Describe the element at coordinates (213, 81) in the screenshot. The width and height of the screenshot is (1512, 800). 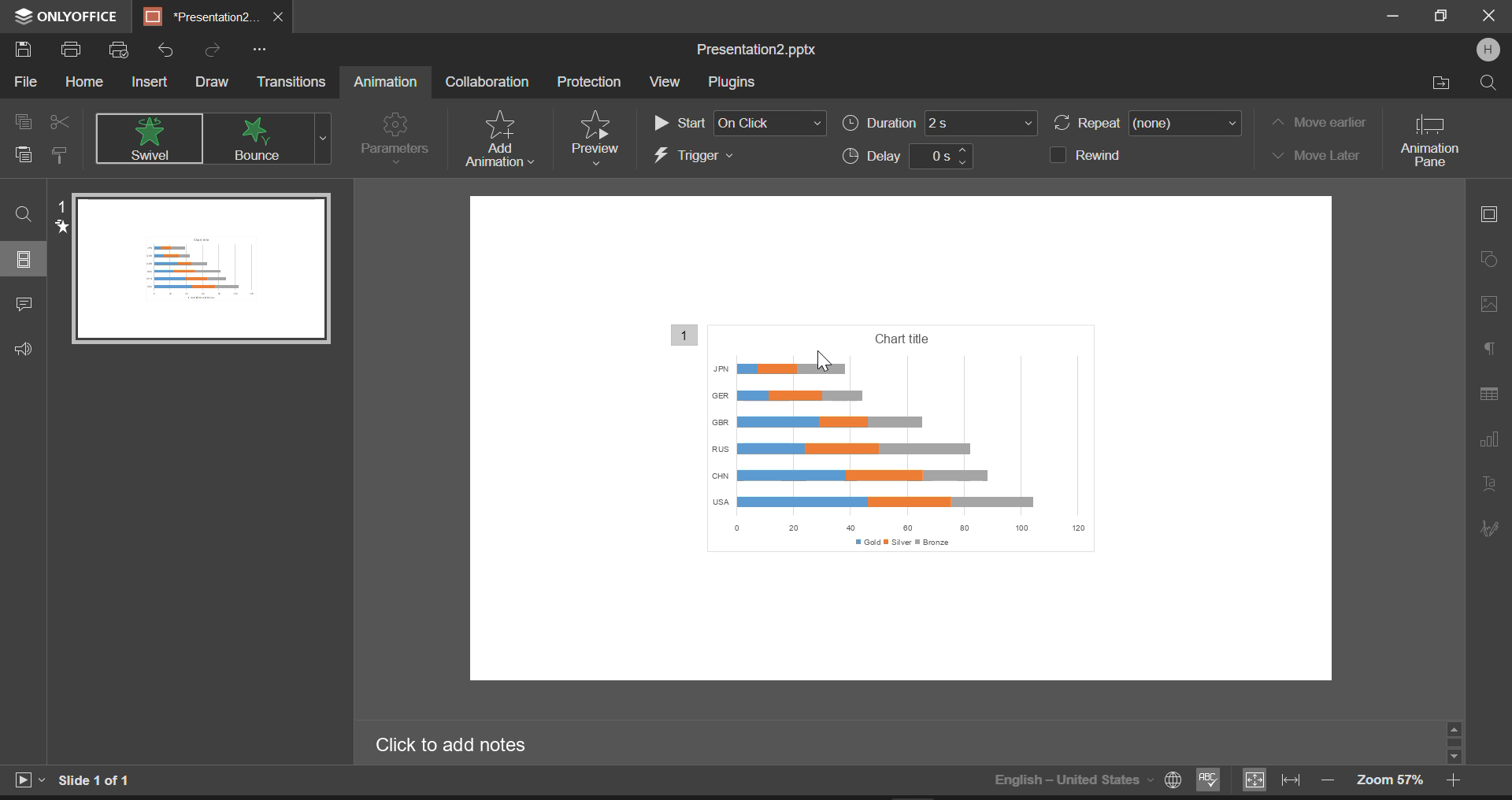
I see `Draw` at that location.